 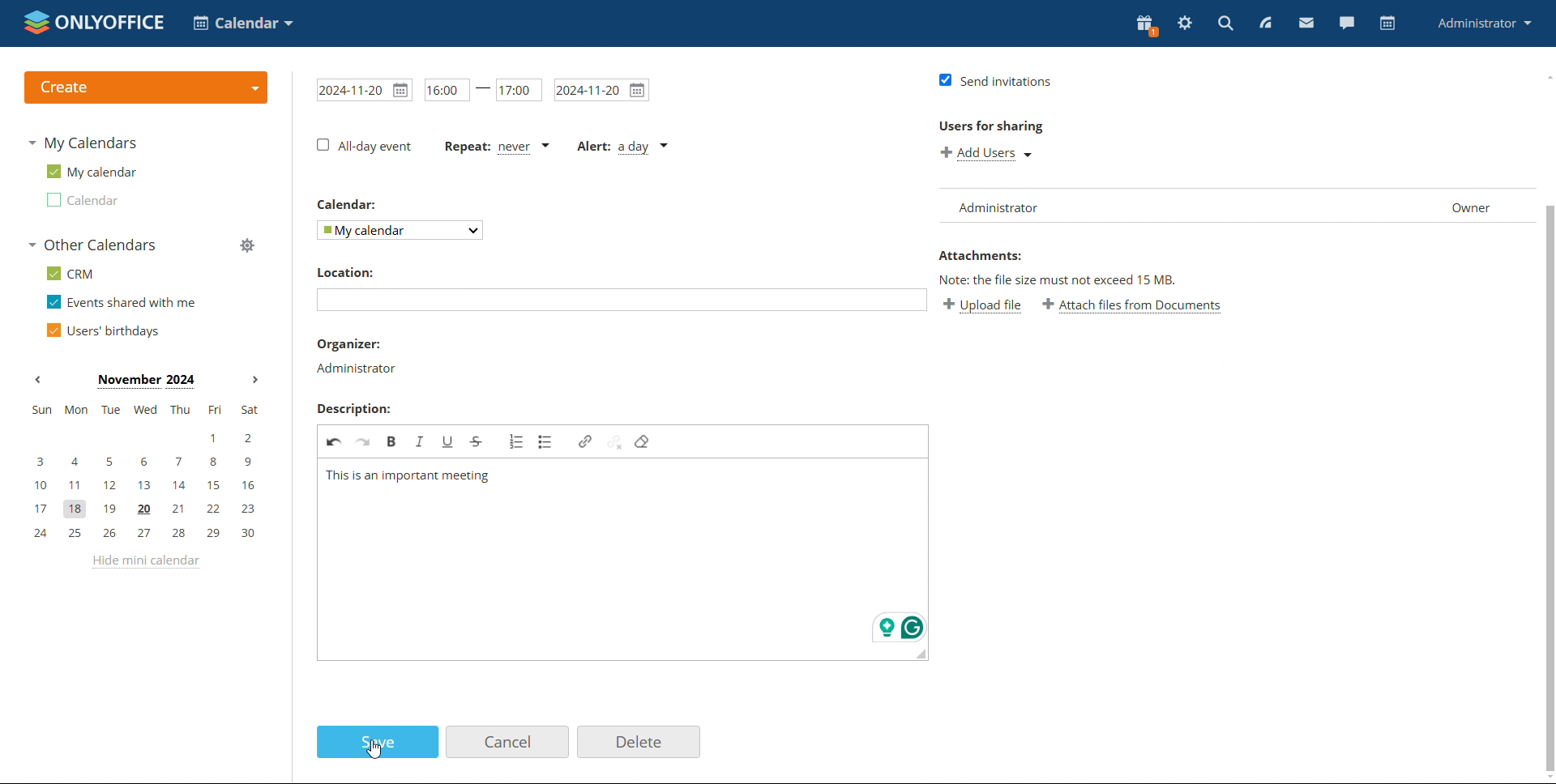 I want to click on select calendar, so click(x=400, y=230).